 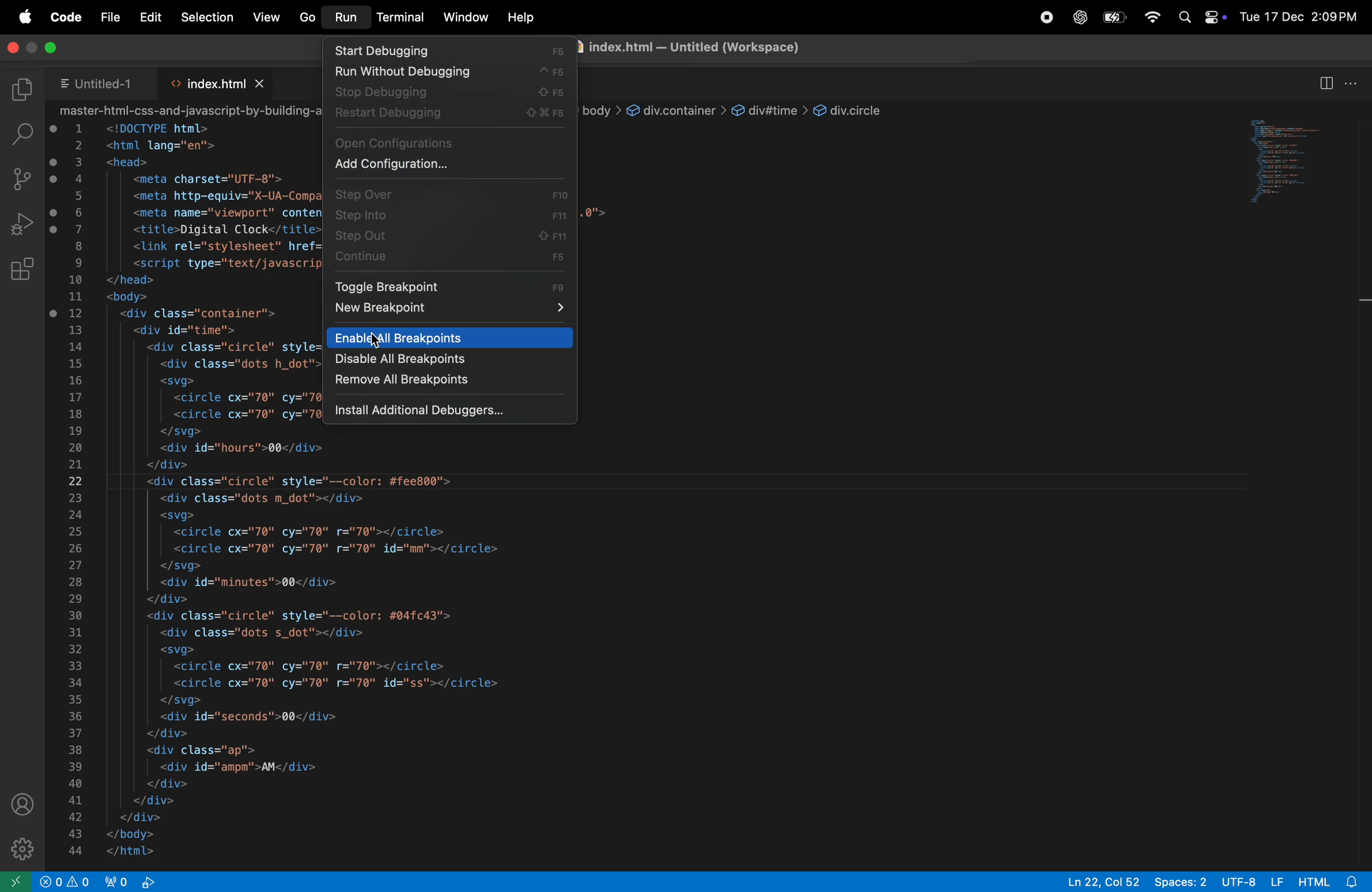 I want to click on disable. all breakpoints, so click(x=451, y=360).